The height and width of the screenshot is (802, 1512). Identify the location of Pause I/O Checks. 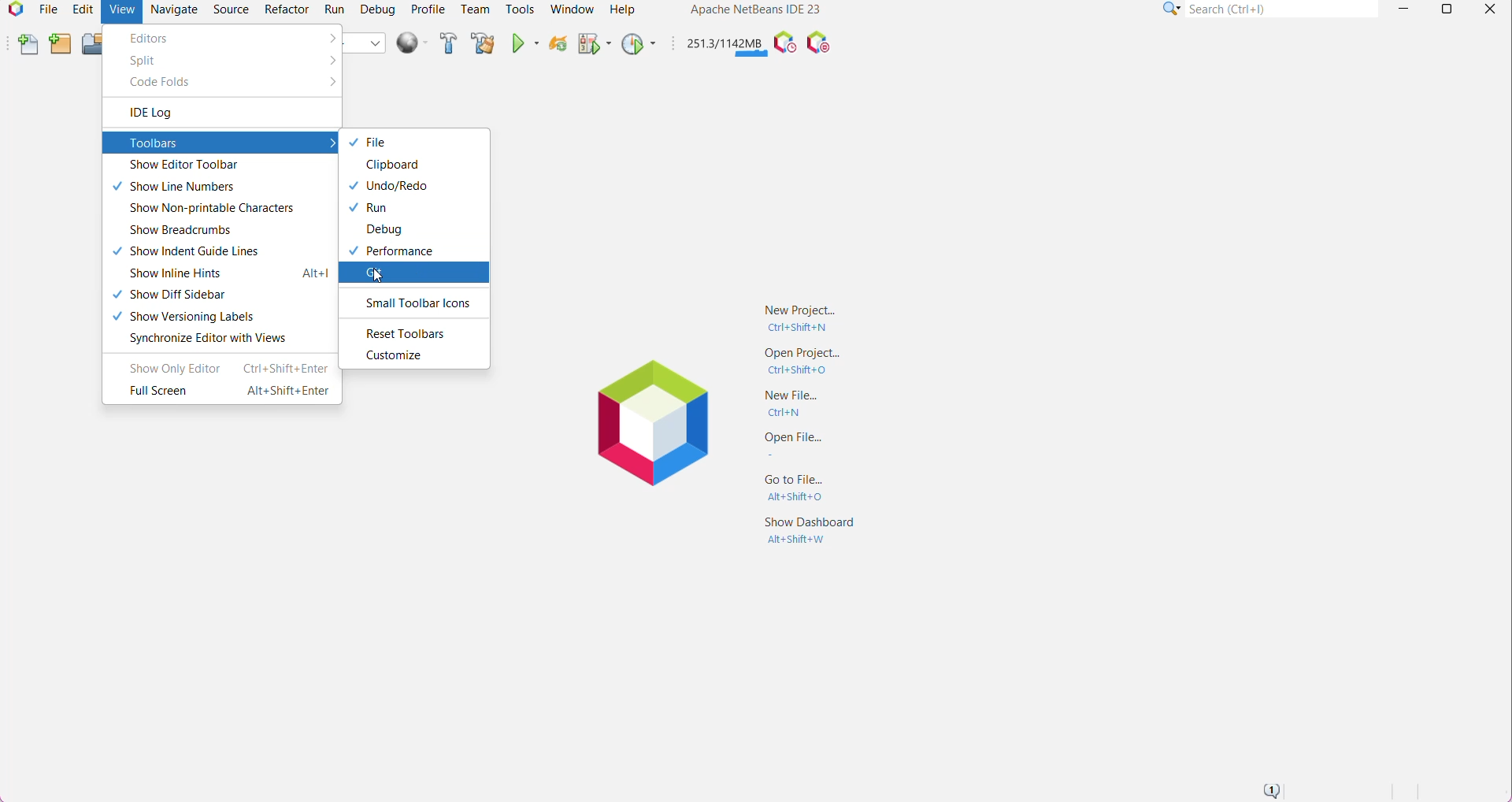
(817, 43).